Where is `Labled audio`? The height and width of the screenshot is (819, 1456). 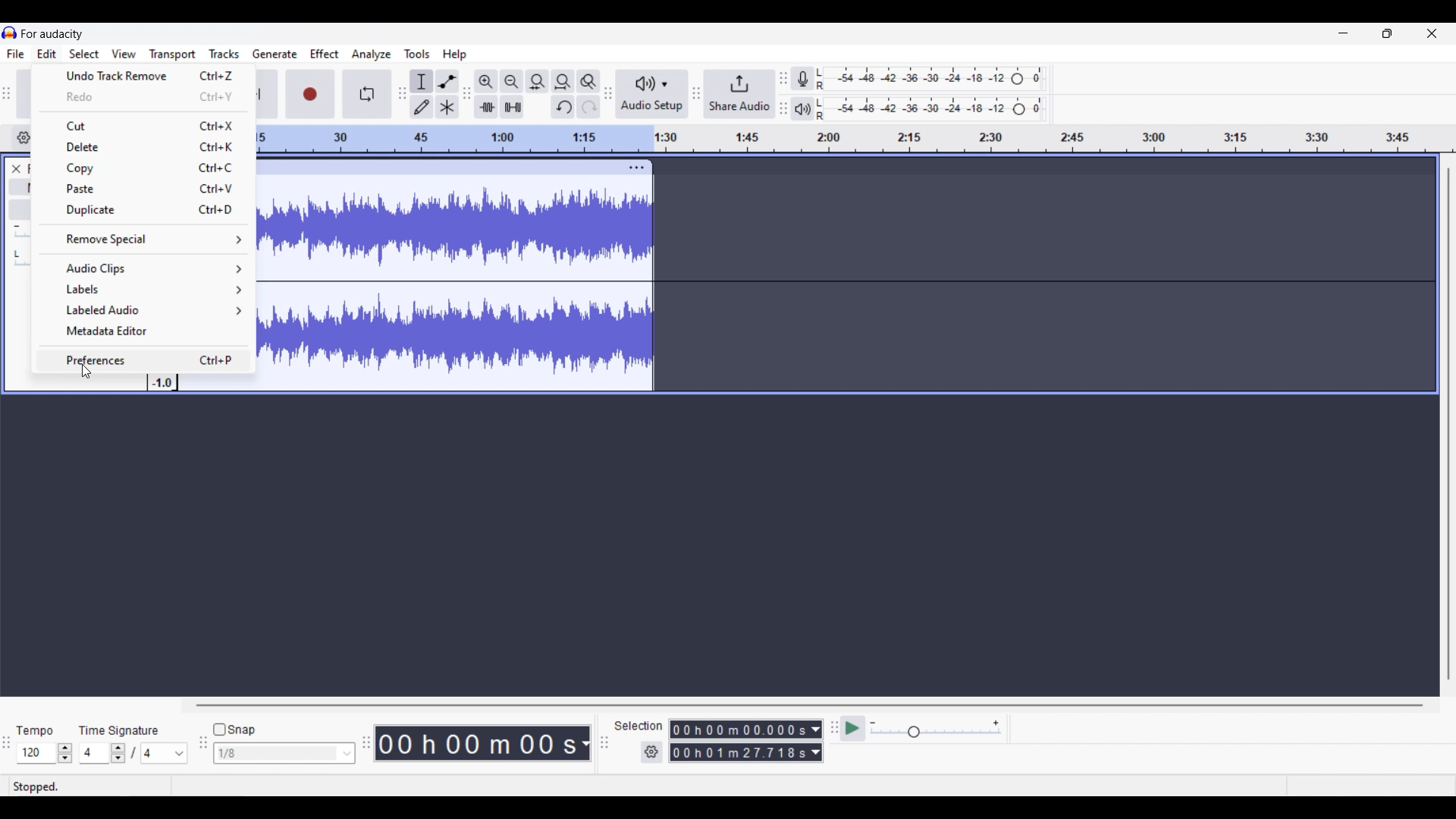 Labled audio is located at coordinates (145, 310).